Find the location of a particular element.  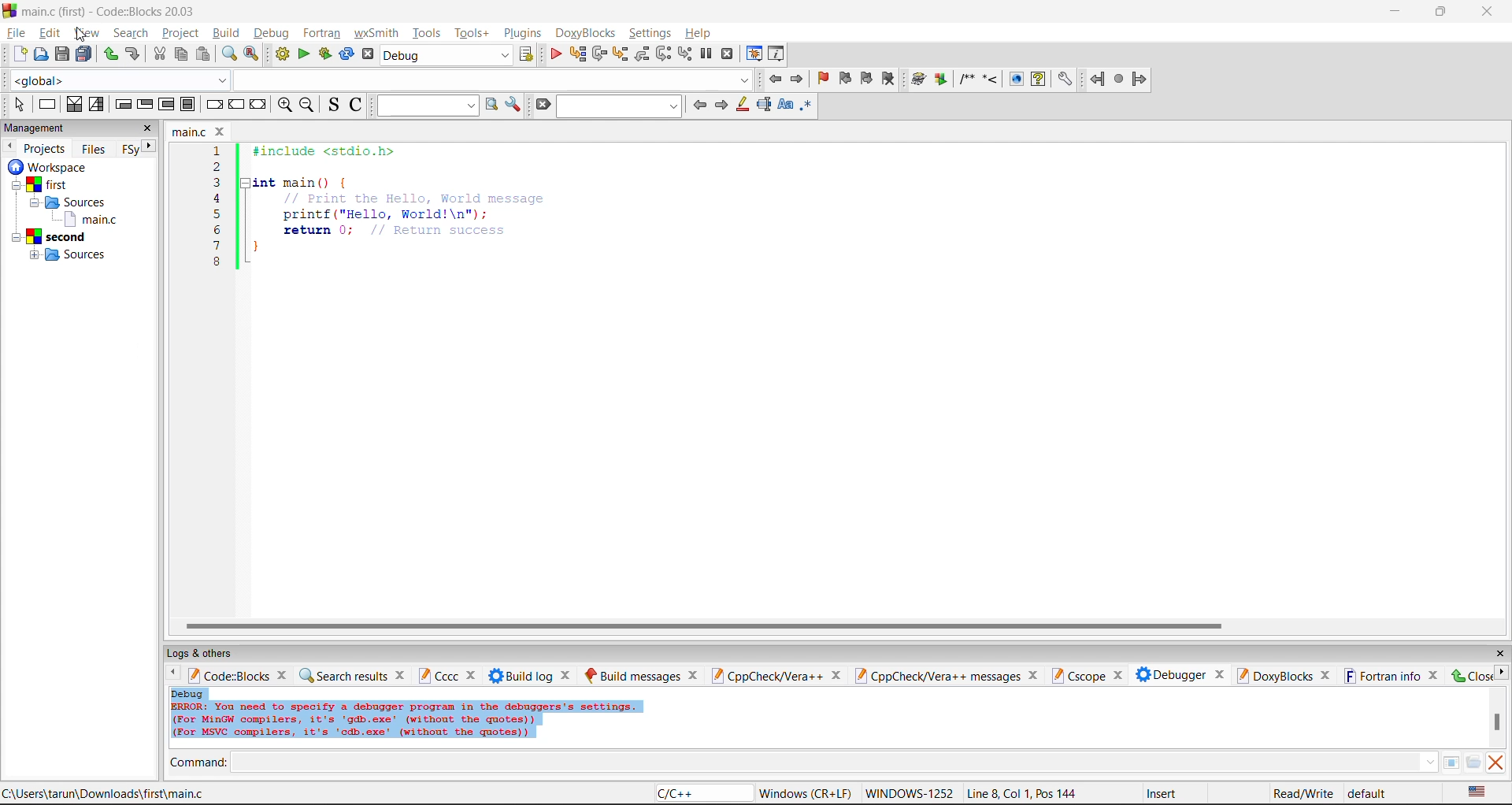

match case is located at coordinates (787, 106).